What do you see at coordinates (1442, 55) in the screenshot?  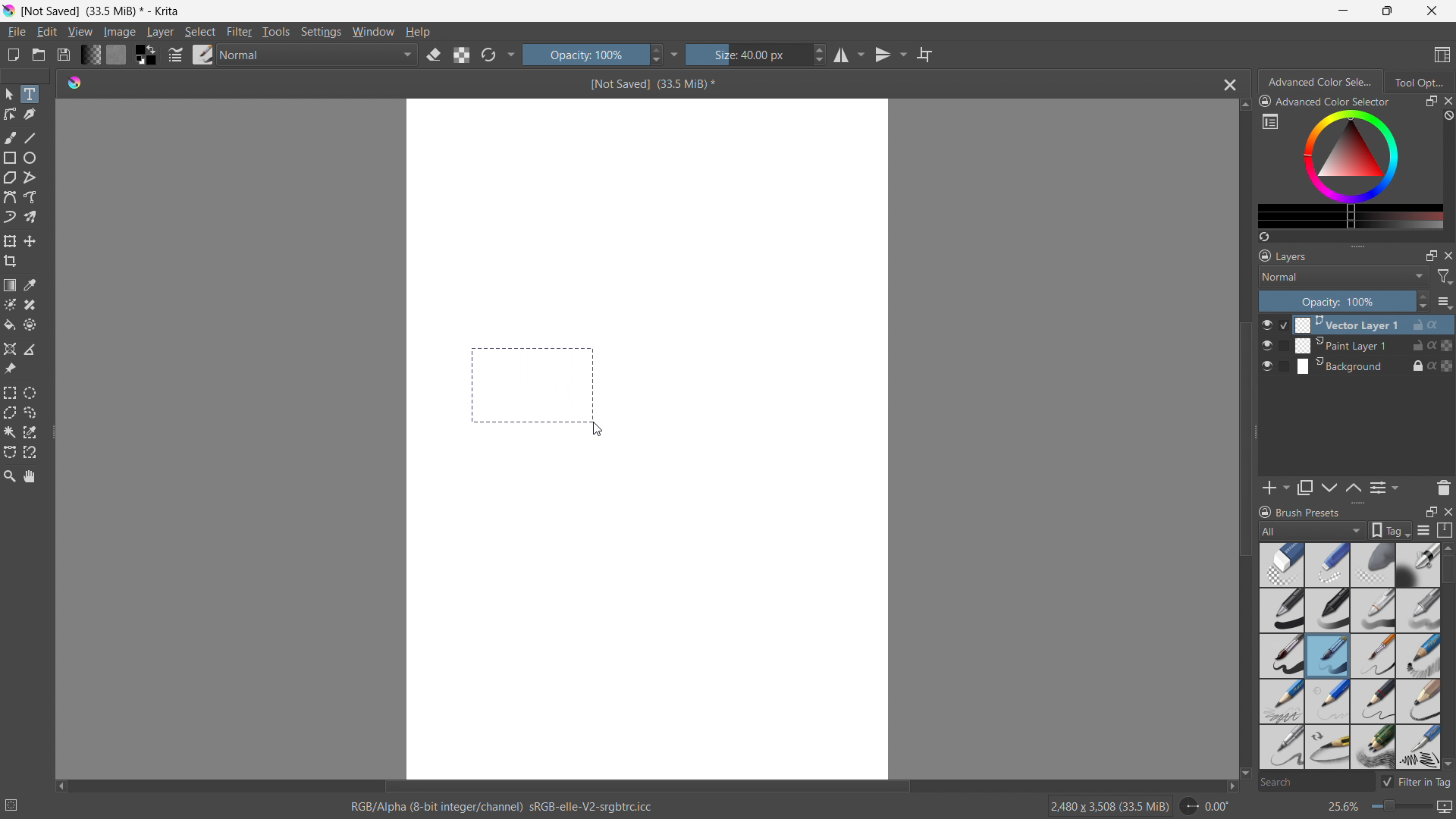 I see `choose workspace` at bounding box center [1442, 55].